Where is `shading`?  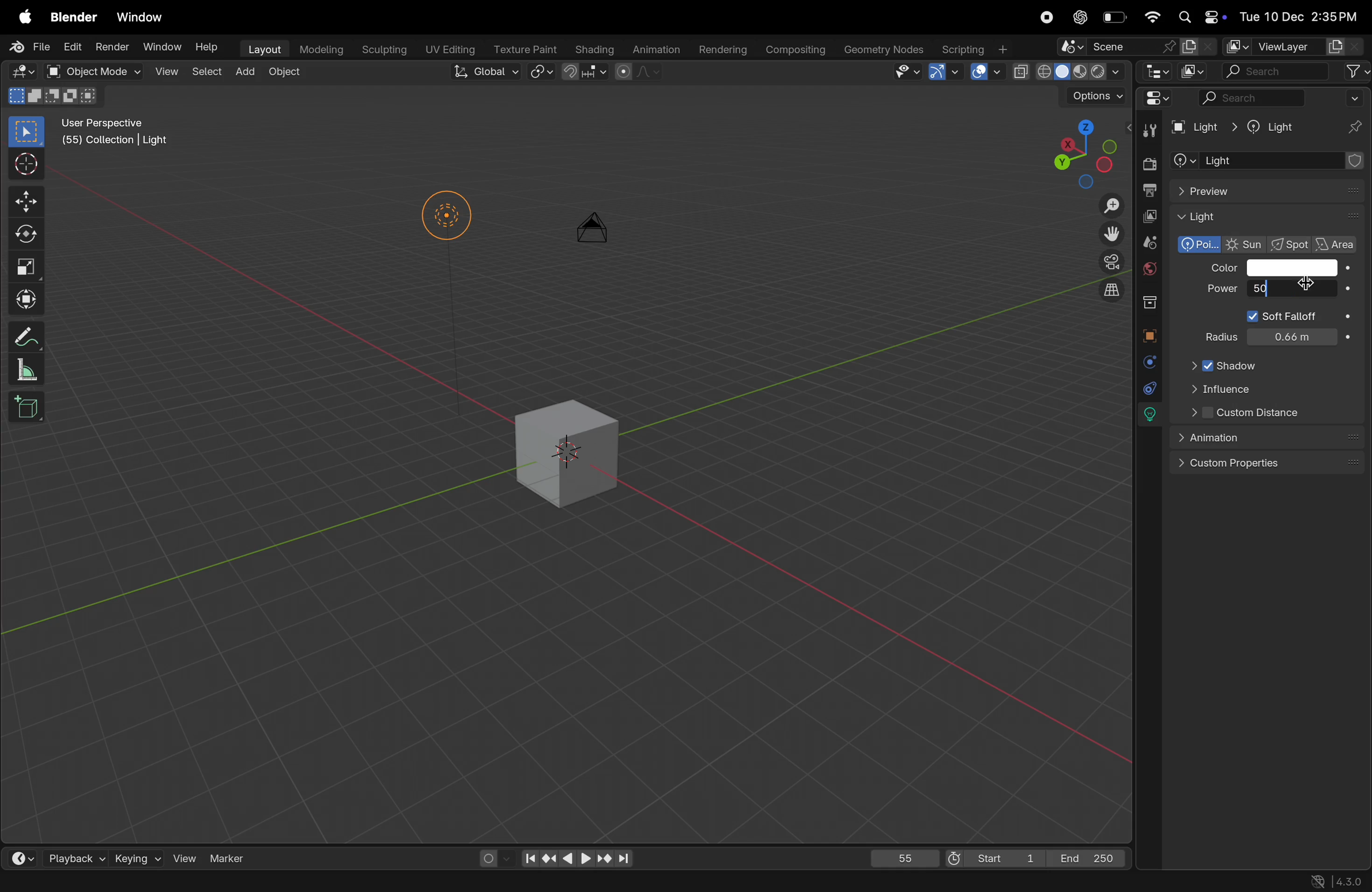 shading is located at coordinates (595, 48).